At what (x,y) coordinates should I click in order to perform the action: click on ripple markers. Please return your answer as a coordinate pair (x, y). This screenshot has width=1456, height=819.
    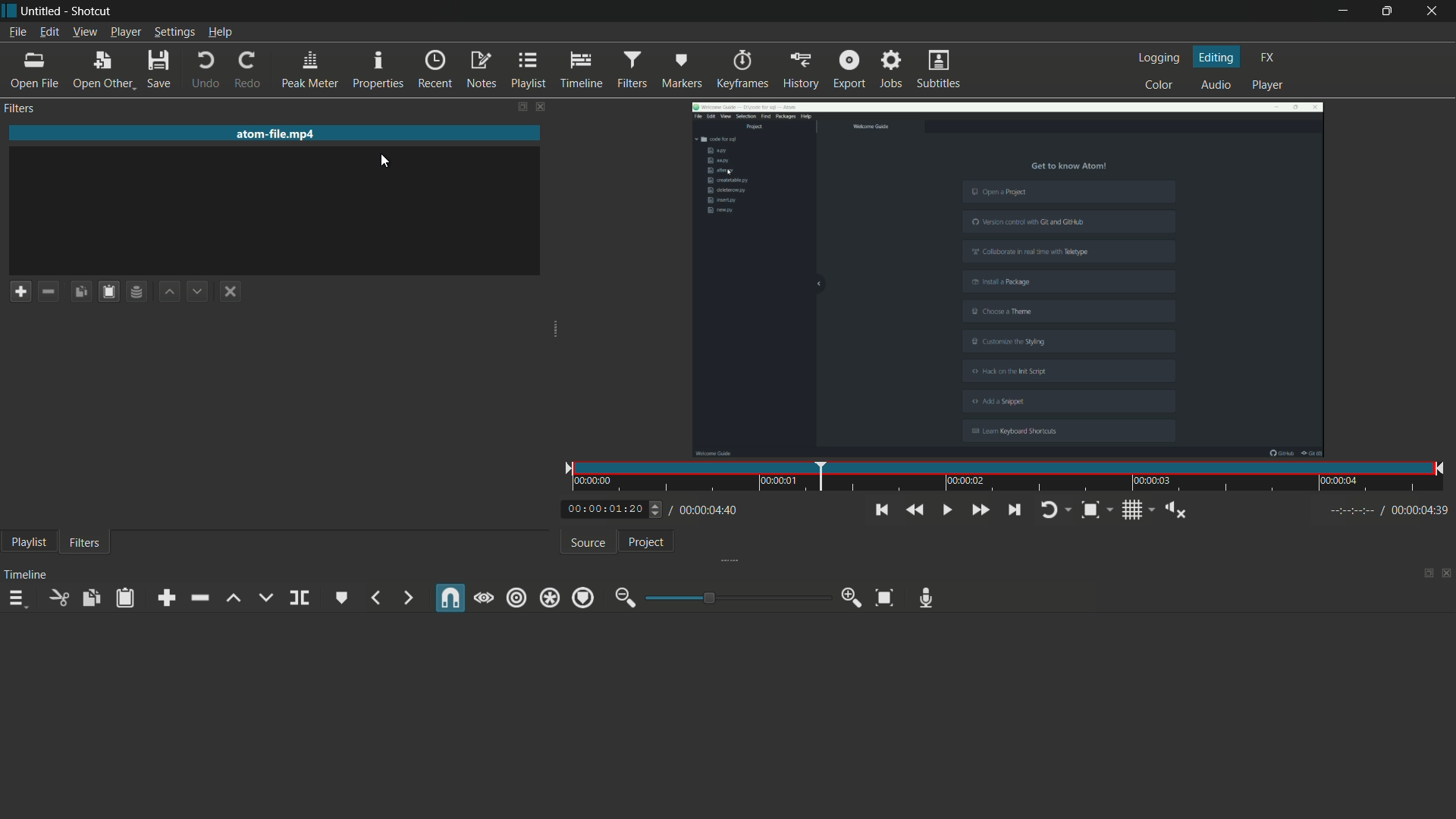
    Looking at the image, I should click on (582, 598).